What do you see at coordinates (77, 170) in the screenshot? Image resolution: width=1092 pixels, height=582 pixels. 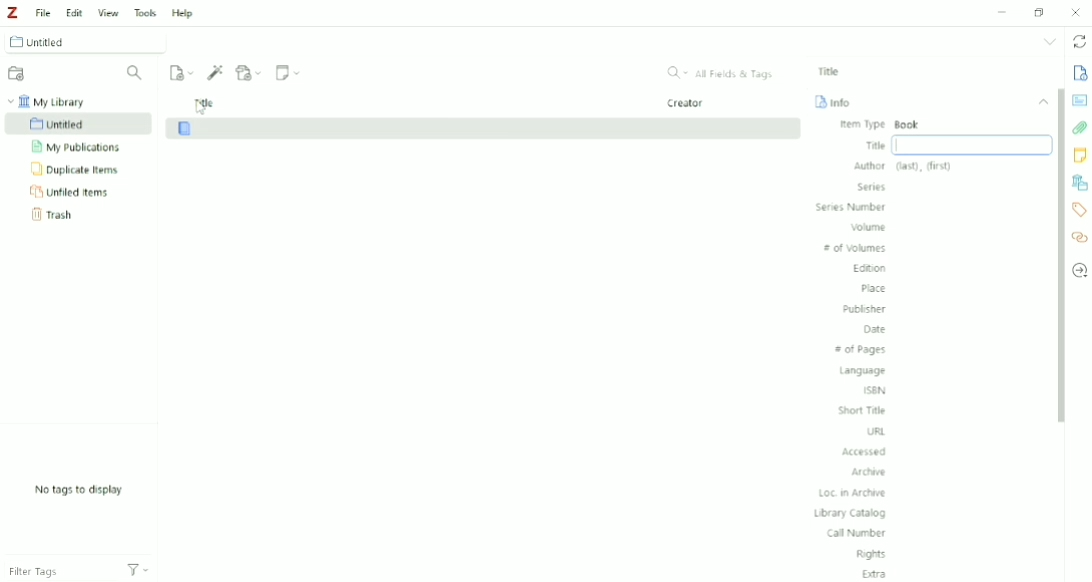 I see `Duplicate Items` at bounding box center [77, 170].